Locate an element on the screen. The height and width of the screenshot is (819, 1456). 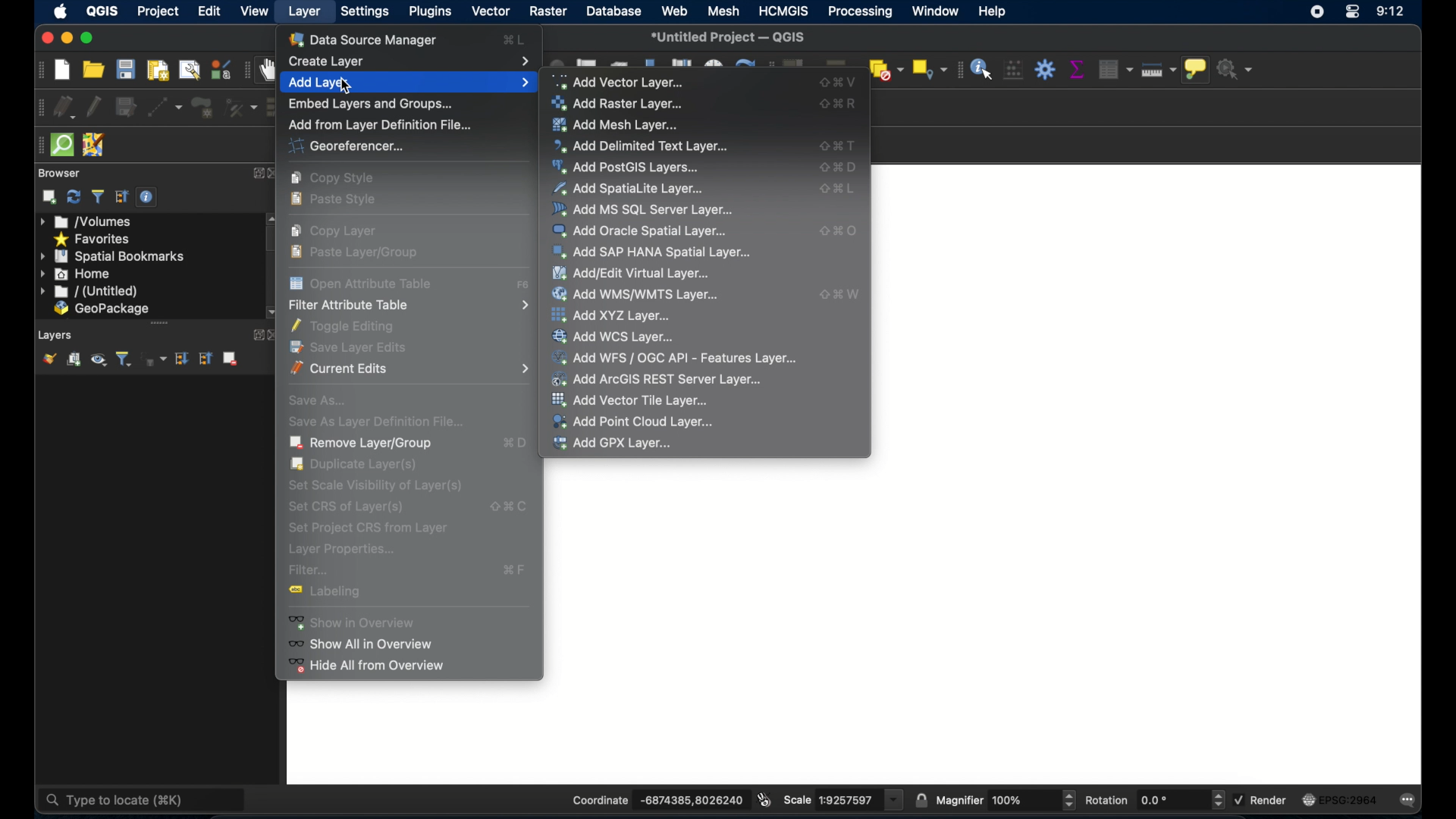
expand all is located at coordinates (180, 359).